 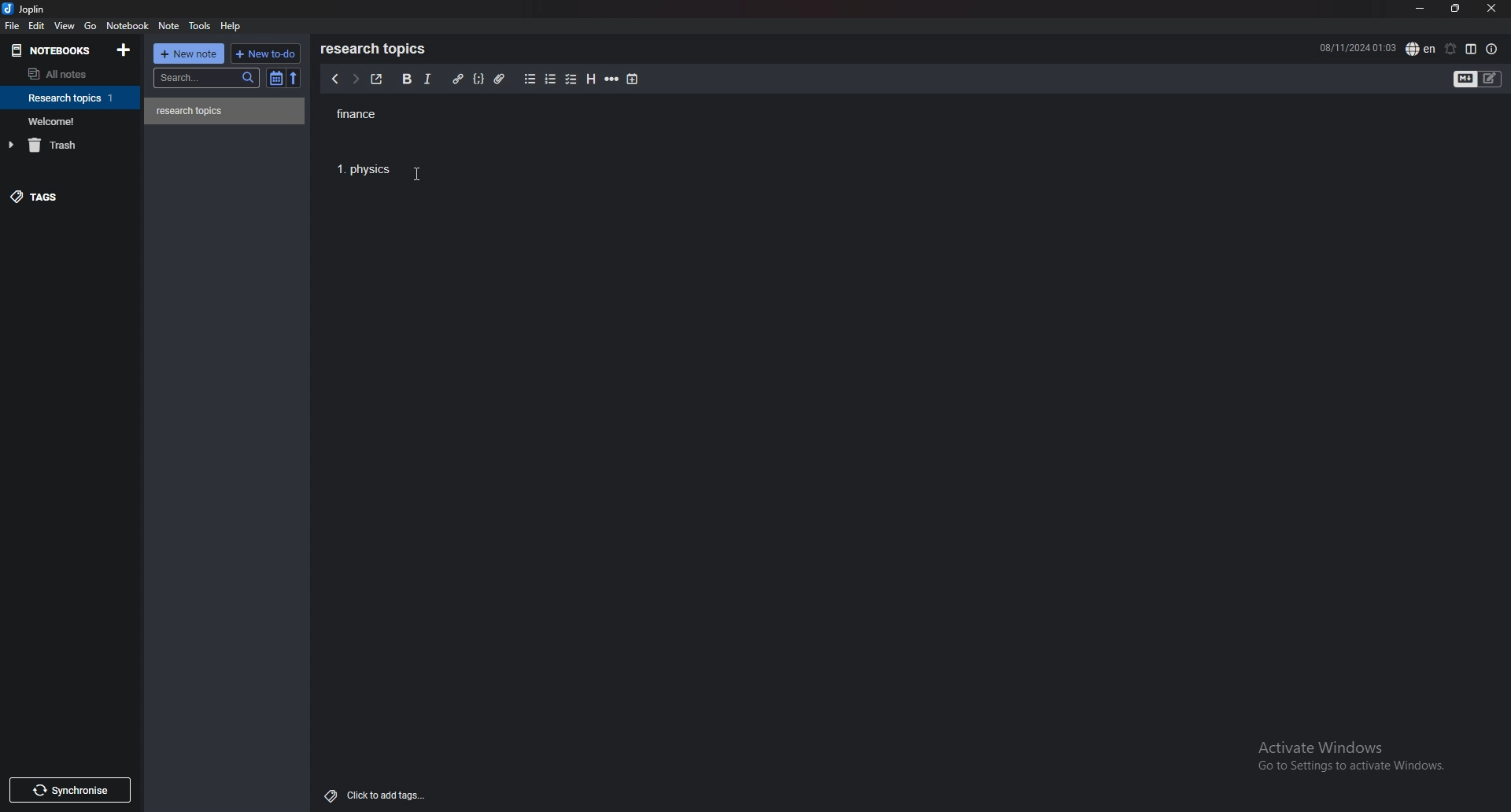 What do you see at coordinates (530, 79) in the screenshot?
I see `bullet list` at bounding box center [530, 79].